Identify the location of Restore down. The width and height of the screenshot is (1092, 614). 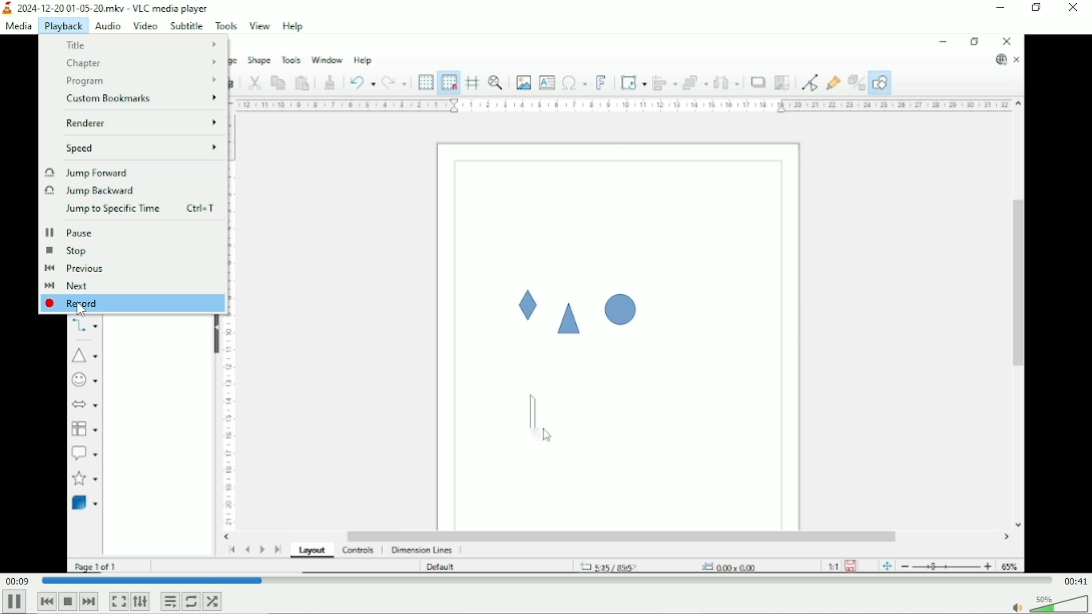
(1036, 9).